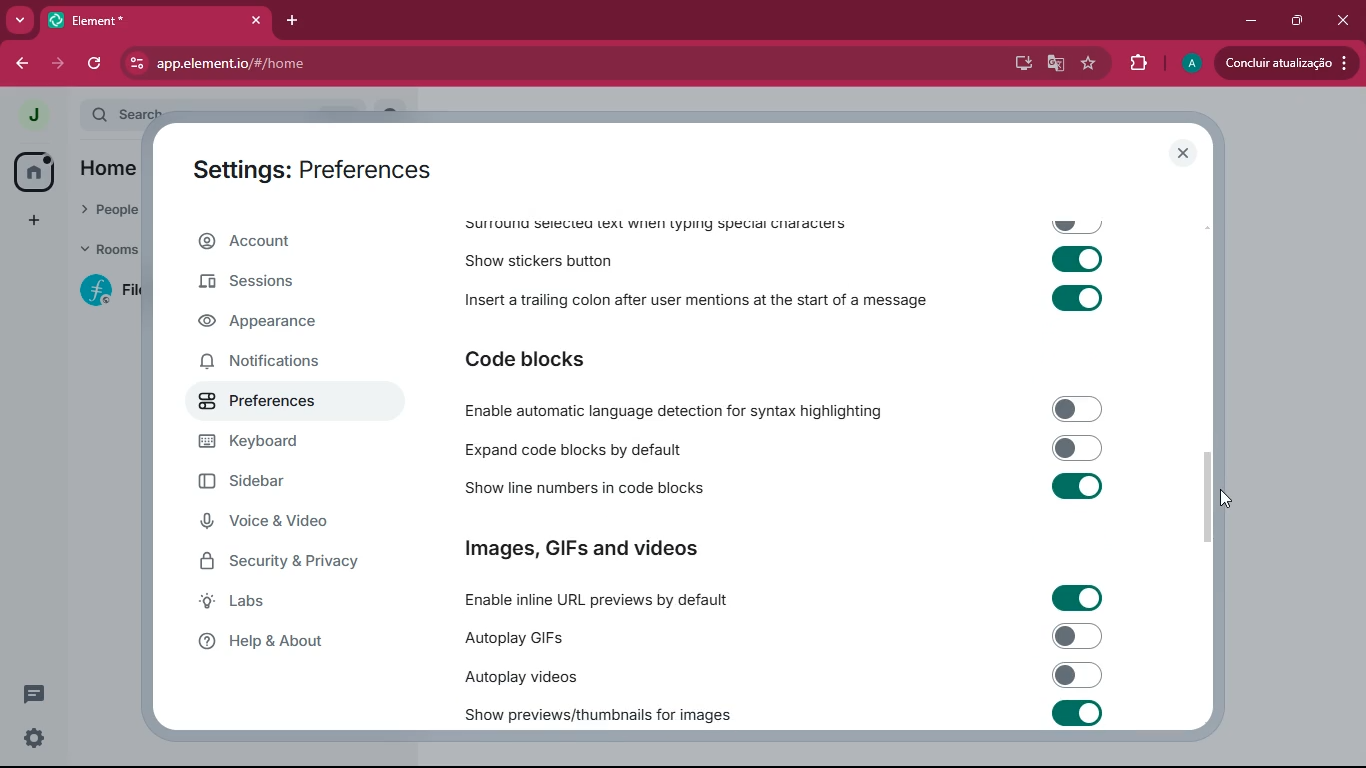 The height and width of the screenshot is (768, 1366). I want to click on settings: preferences, so click(318, 167).